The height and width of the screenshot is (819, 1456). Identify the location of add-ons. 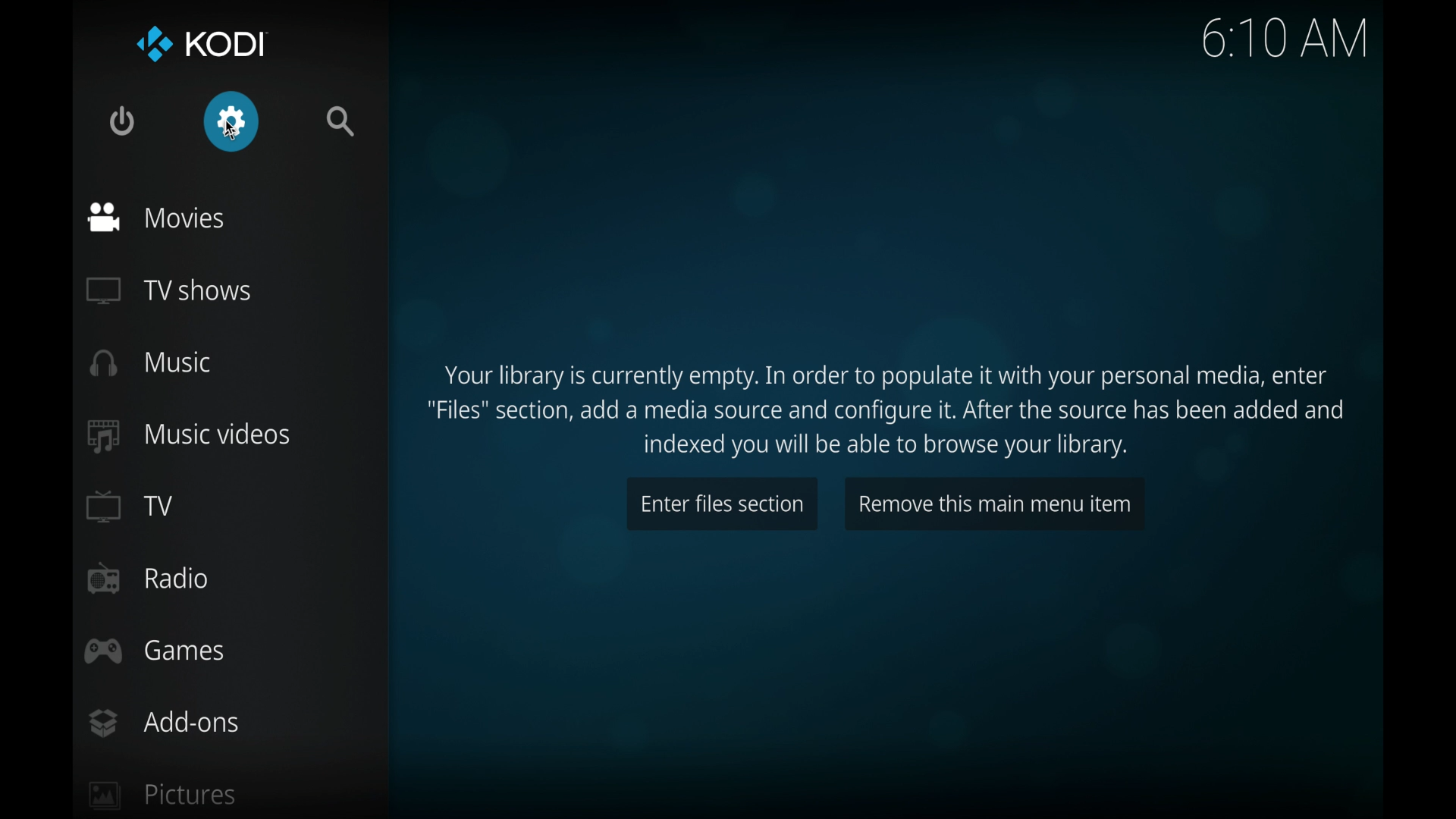
(165, 723).